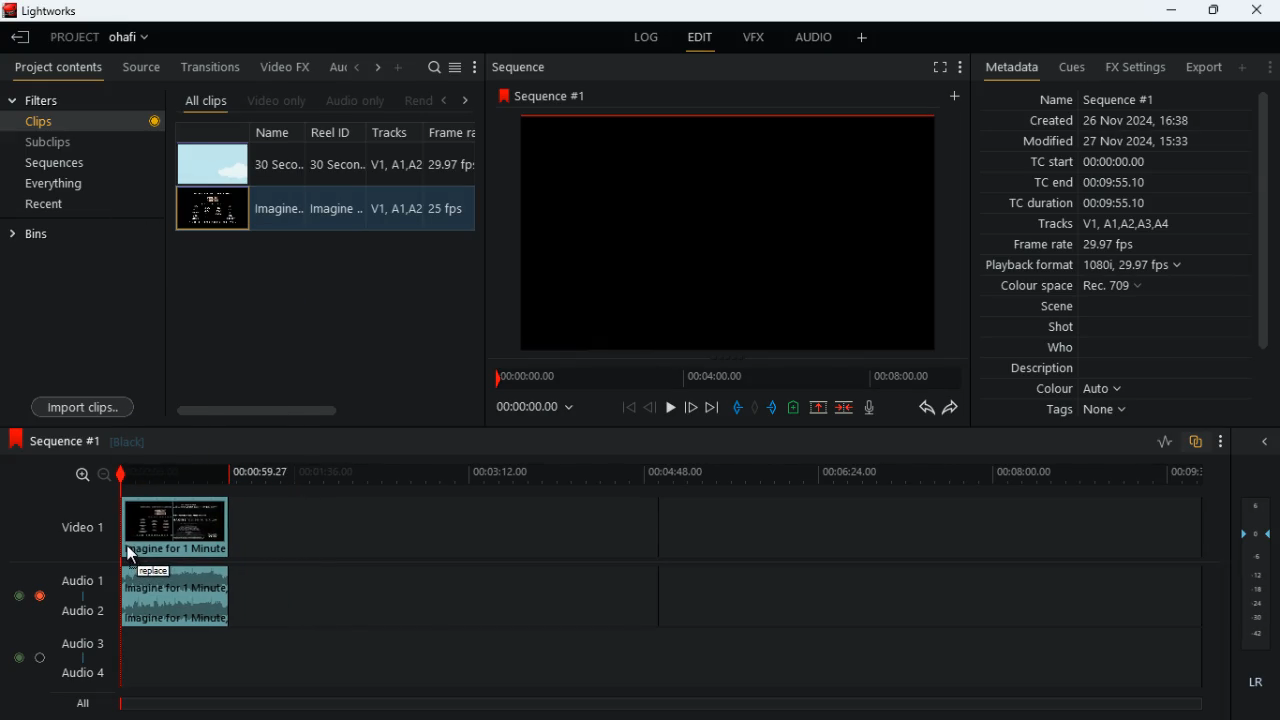 The height and width of the screenshot is (720, 1280). Describe the element at coordinates (43, 11) in the screenshot. I see `lightworks` at that location.